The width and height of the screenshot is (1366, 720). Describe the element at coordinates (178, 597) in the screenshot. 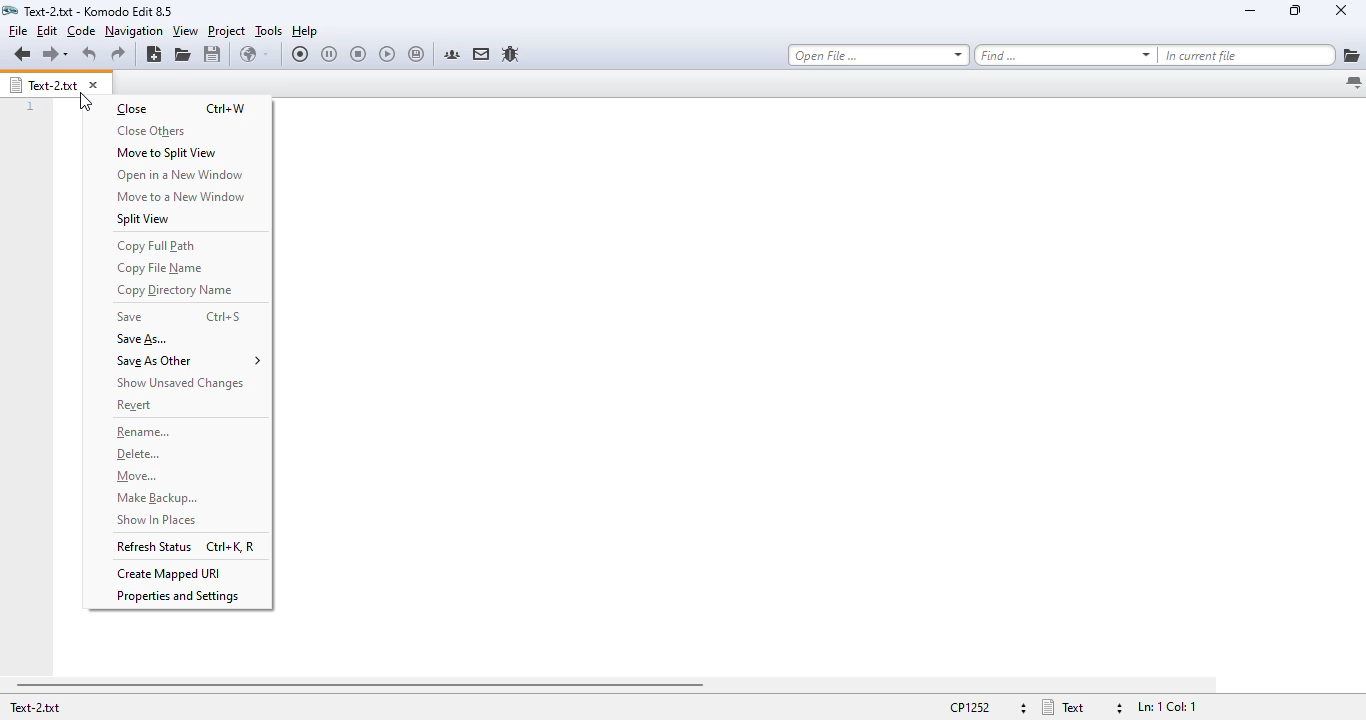

I see `properties and settings` at that location.